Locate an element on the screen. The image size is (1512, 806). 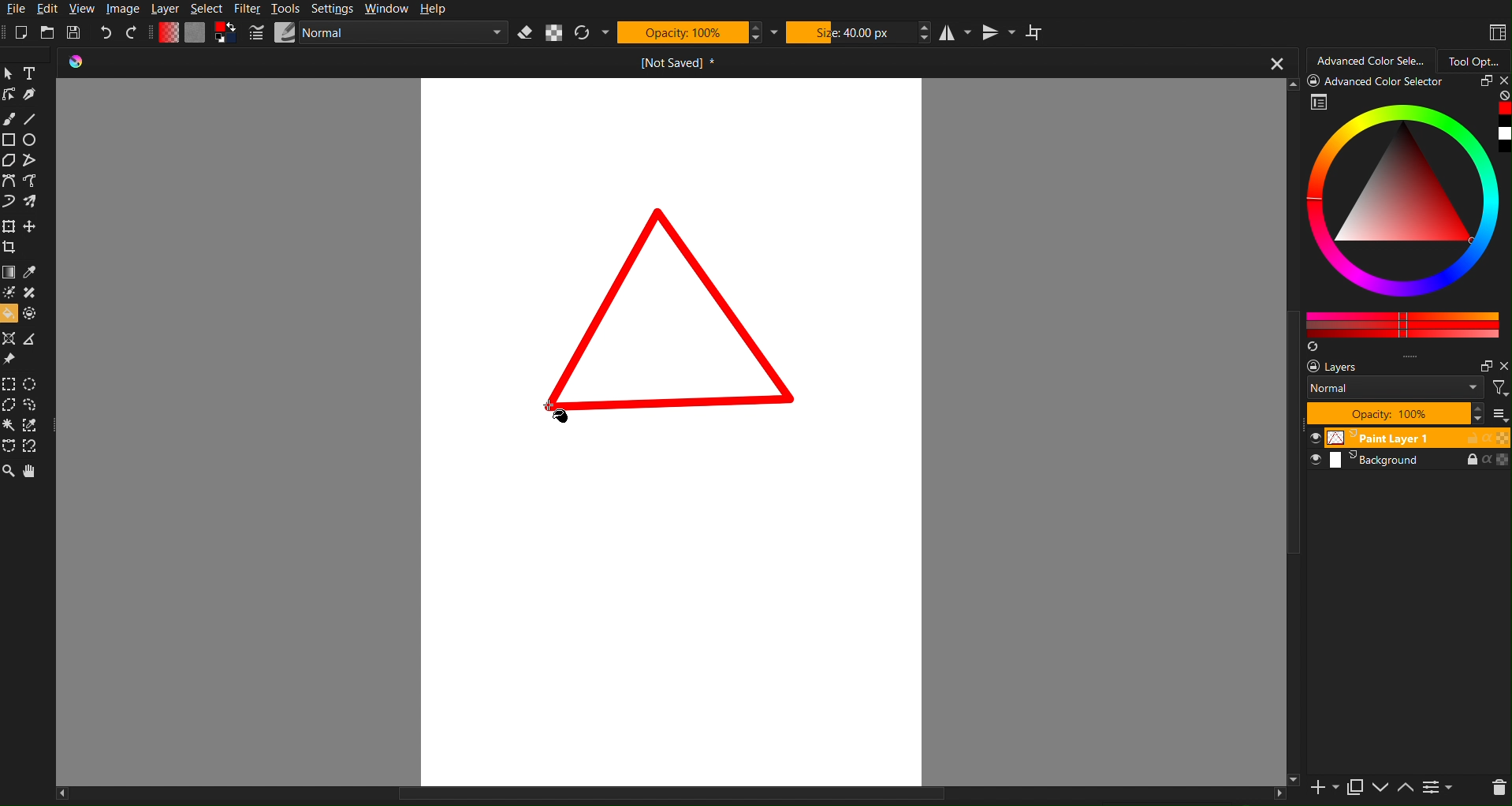
bezier Curve Tools is located at coordinates (9, 181).